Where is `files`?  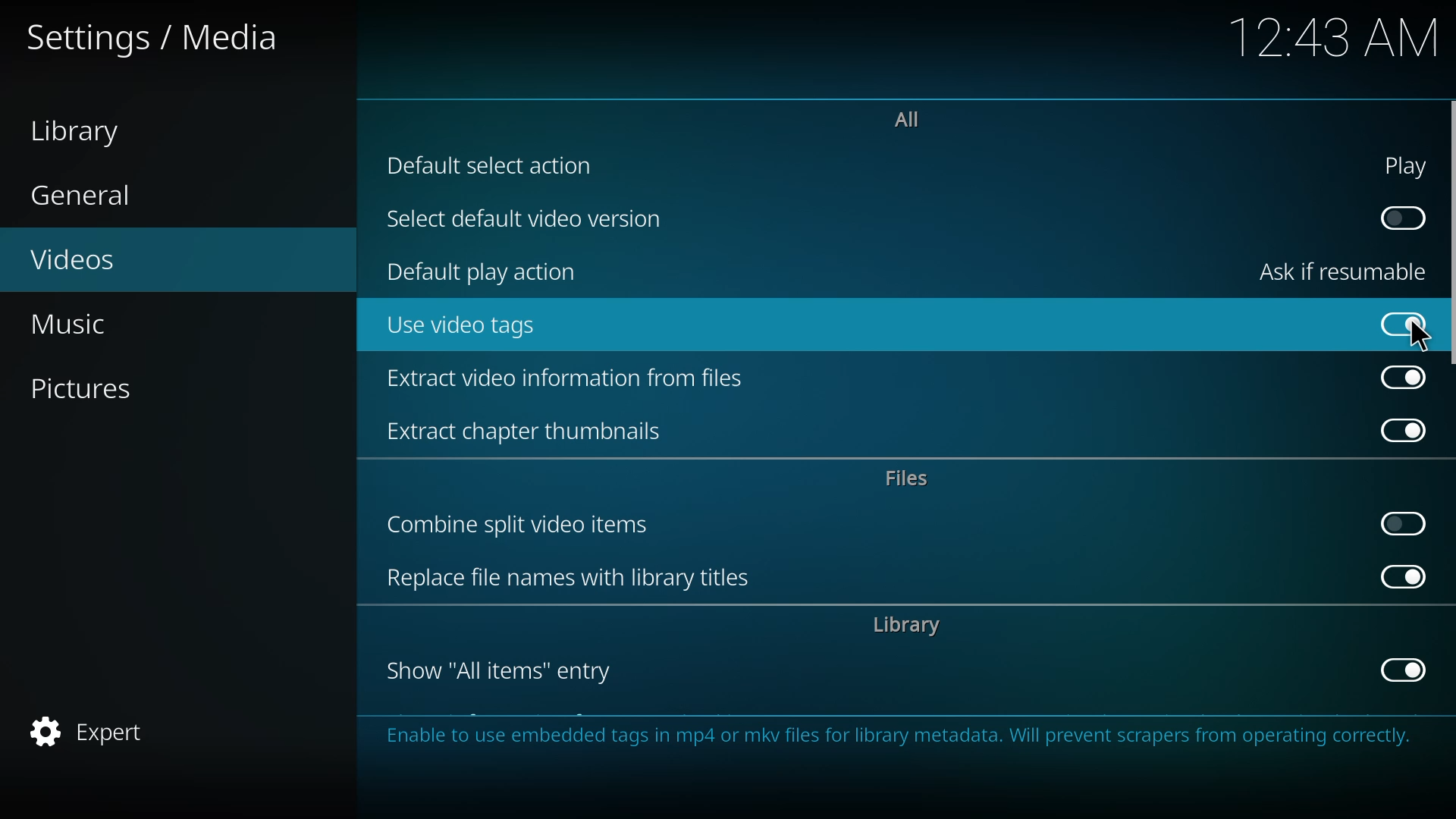 files is located at coordinates (912, 477).